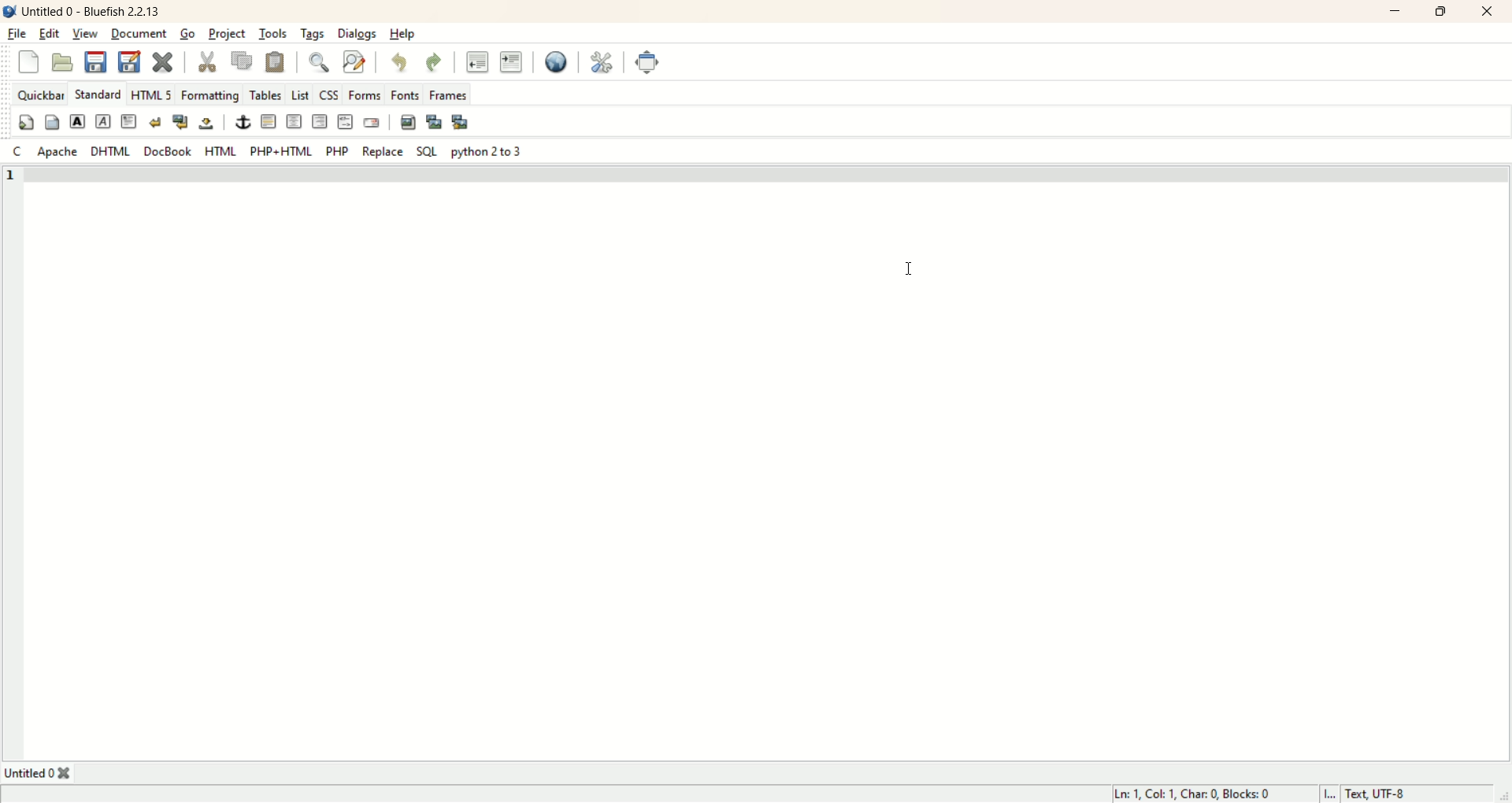 This screenshot has height=803, width=1512. I want to click on title, so click(95, 11).